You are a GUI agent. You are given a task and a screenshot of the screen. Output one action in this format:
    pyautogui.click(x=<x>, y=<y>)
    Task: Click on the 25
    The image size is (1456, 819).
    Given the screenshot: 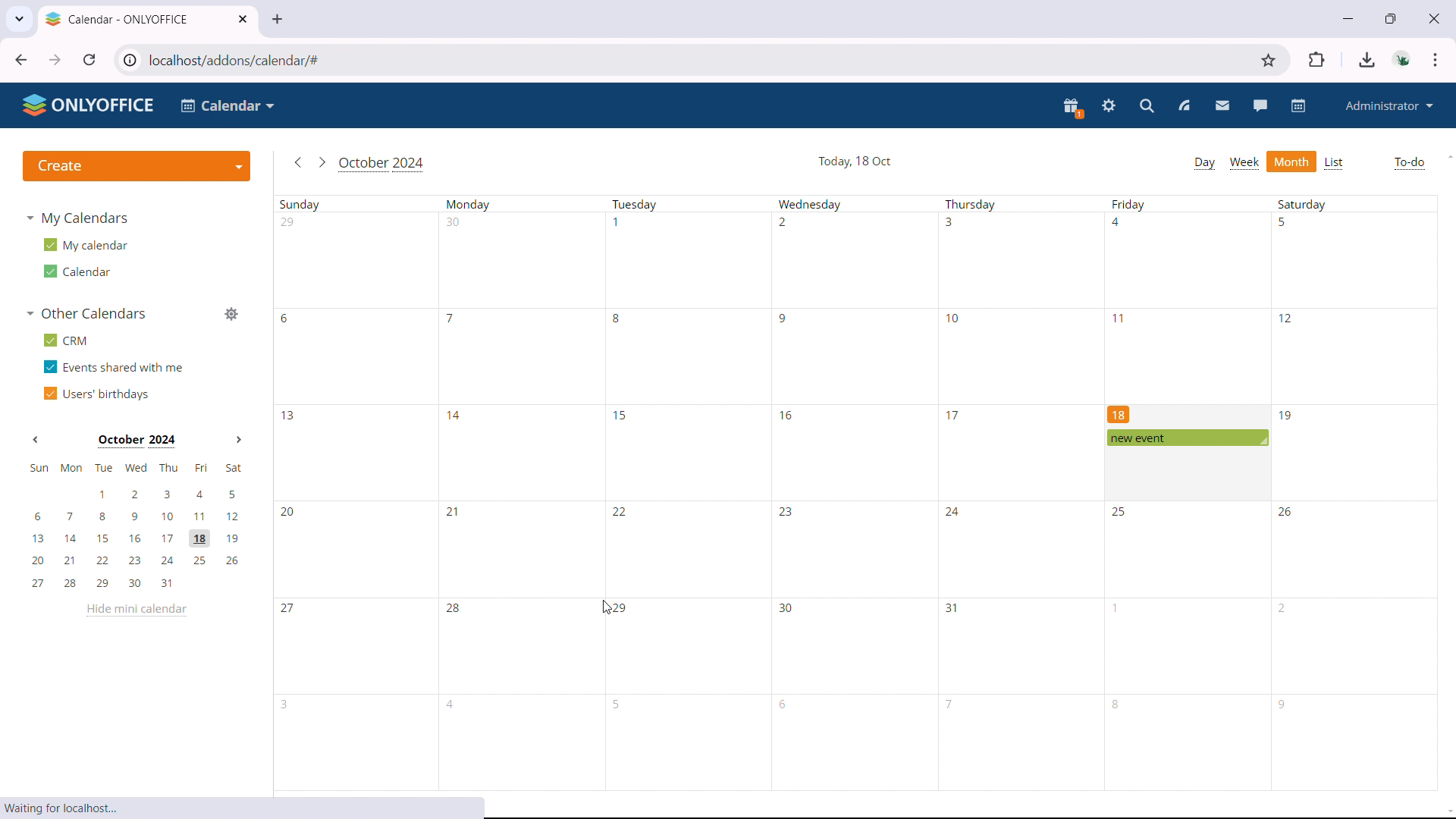 What is the action you would take?
    pyautogui.click(x=1122, y=512)
    